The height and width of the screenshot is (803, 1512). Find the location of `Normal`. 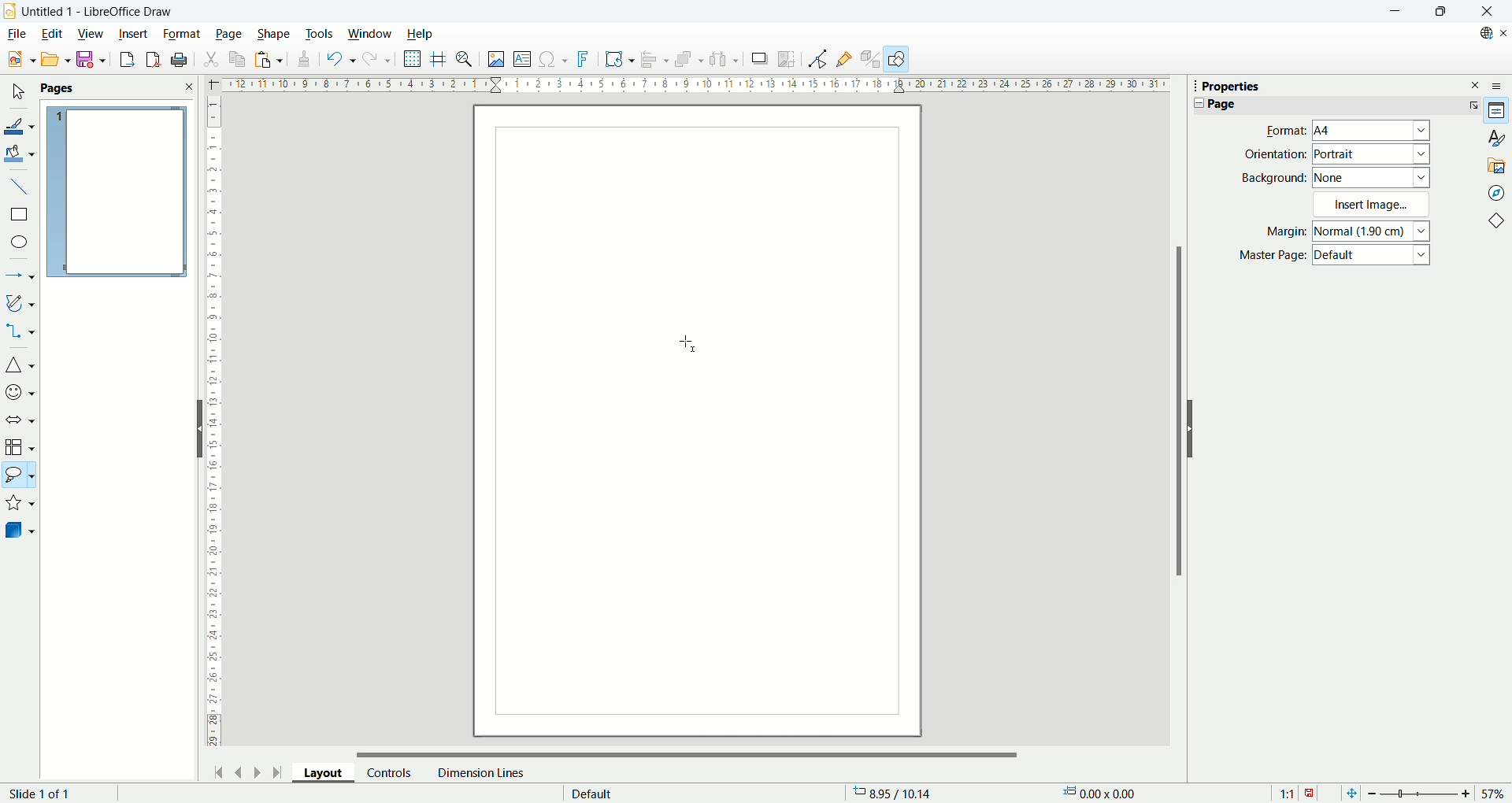

Normal is located at coordinates (1373, 231).